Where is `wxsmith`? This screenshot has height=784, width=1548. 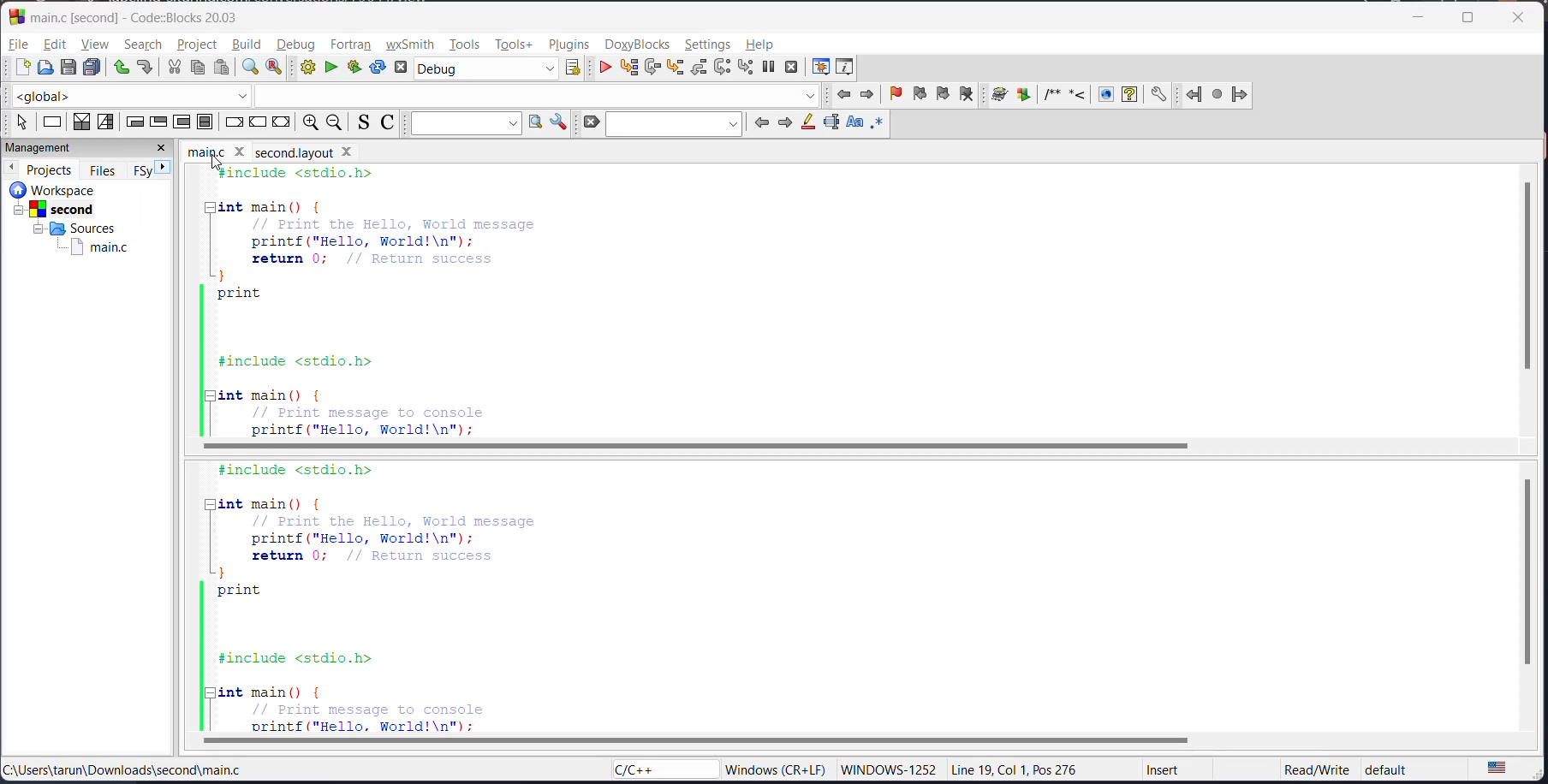
wxsmith is located at coordinates (409, 45).